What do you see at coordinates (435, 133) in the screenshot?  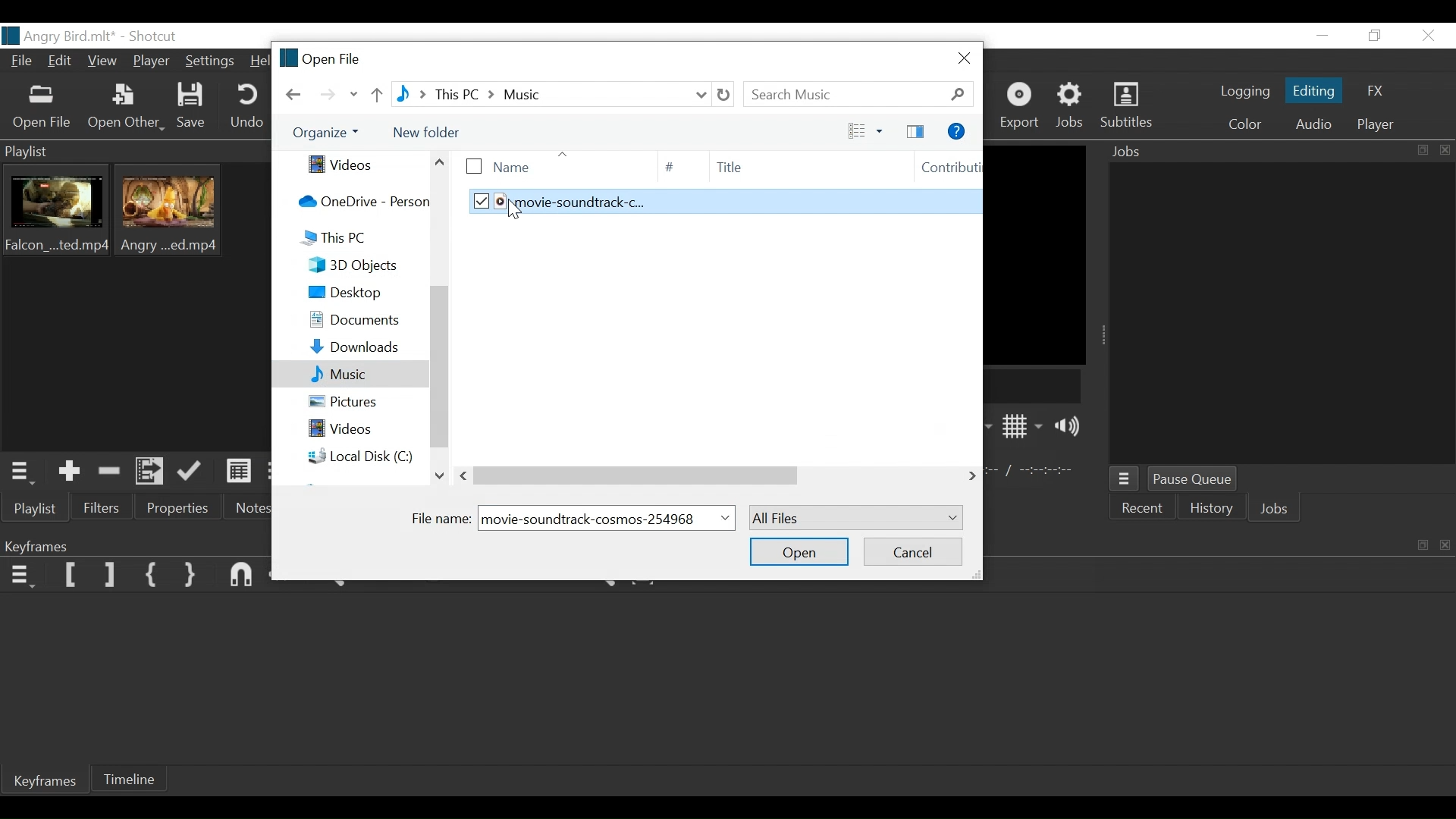 I see `New Folder` at bounding box center [435, 133].